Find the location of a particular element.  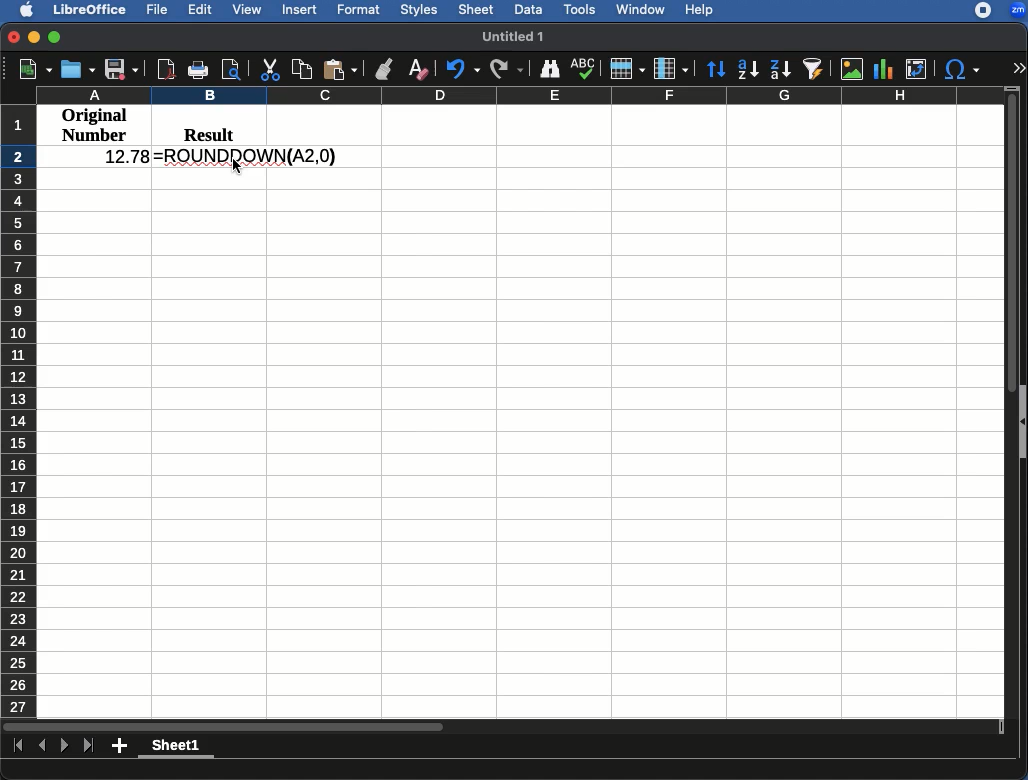

Finder is located at coordinates (551, 70).